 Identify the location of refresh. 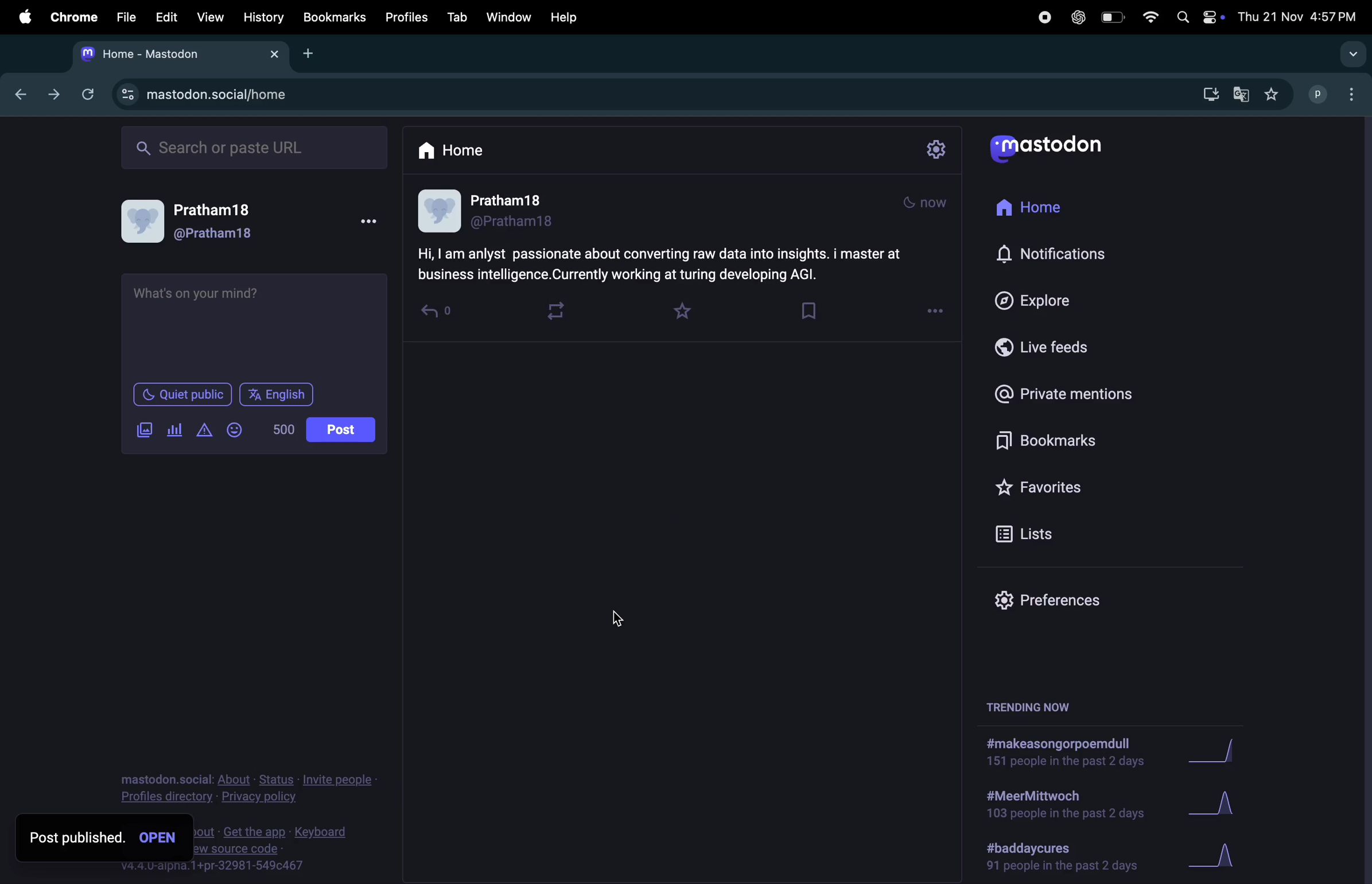
(85, 93).